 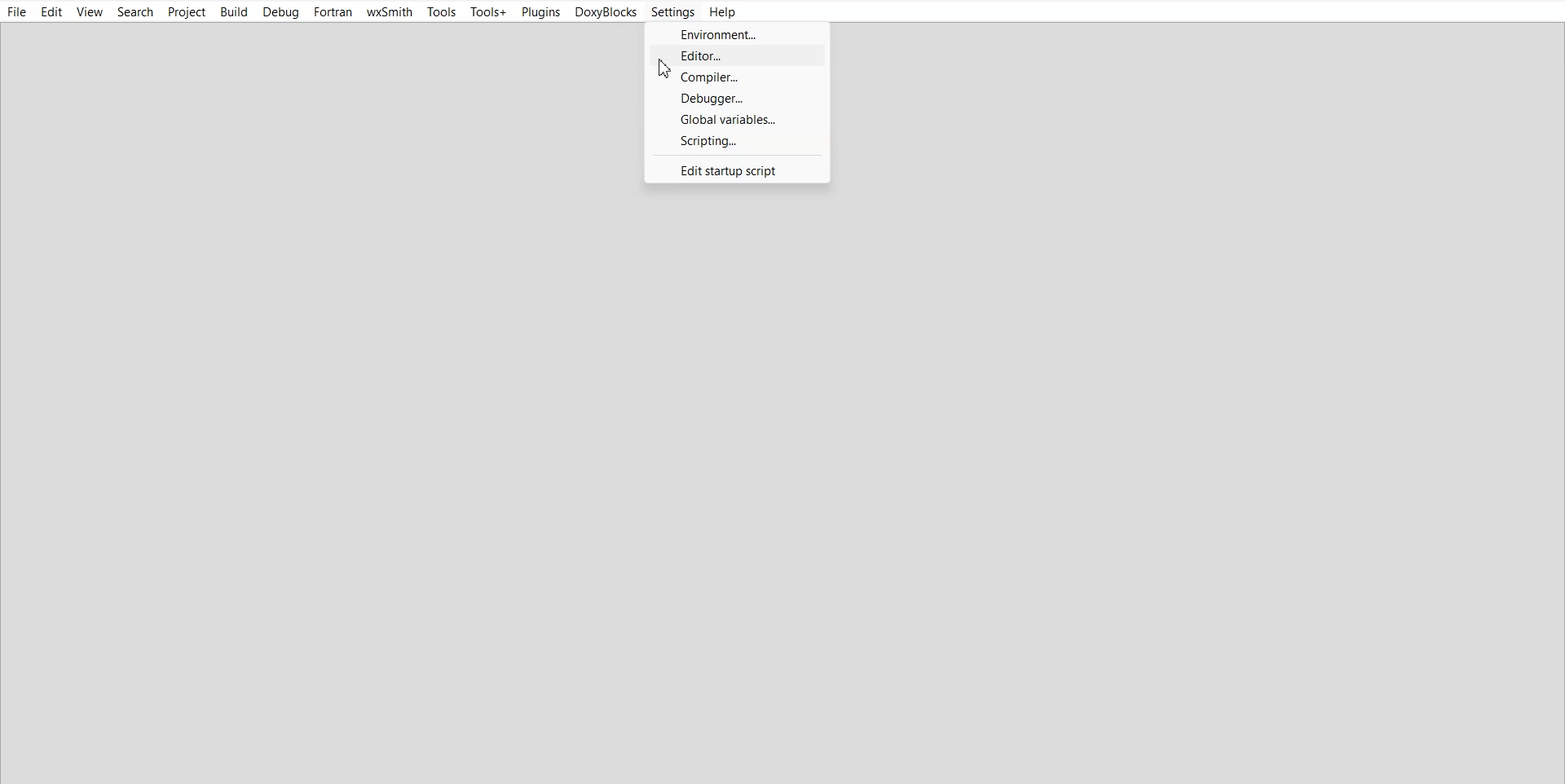 I want to click on Debug, so click(x=280, y=12).